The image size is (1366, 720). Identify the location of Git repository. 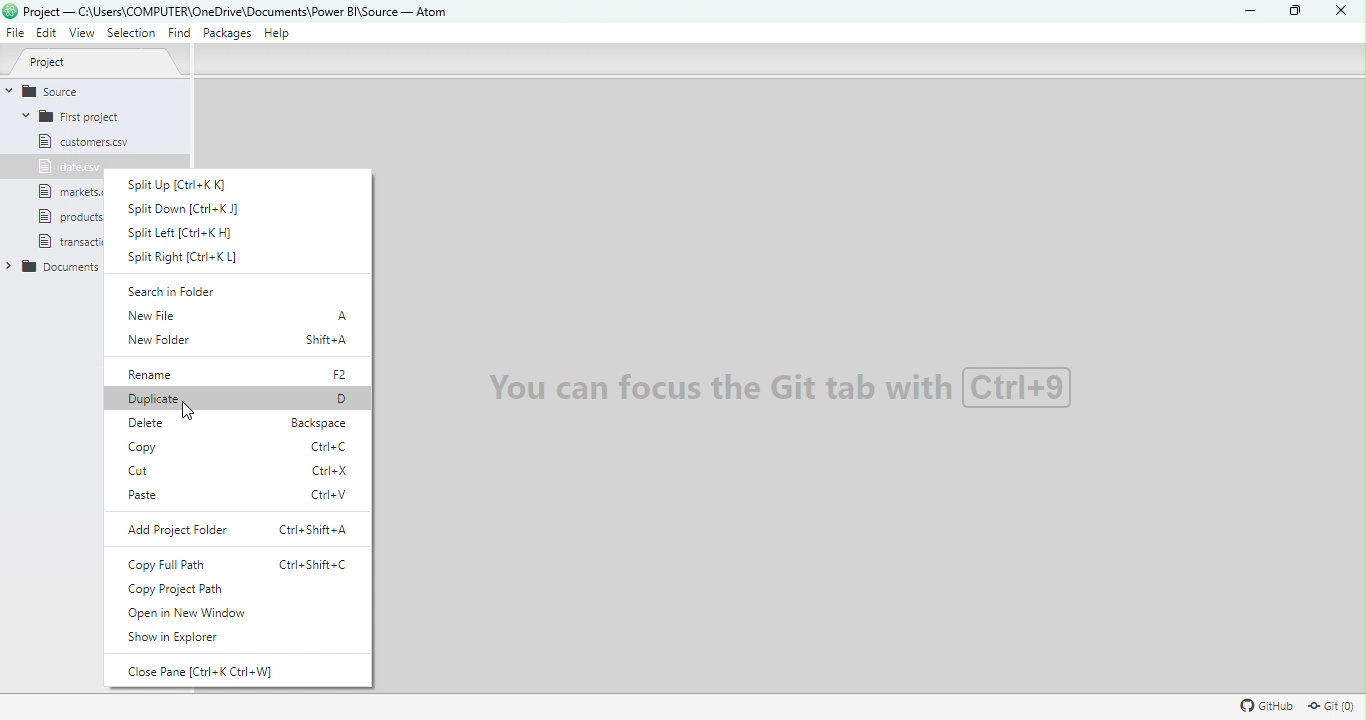
(1333, 705).